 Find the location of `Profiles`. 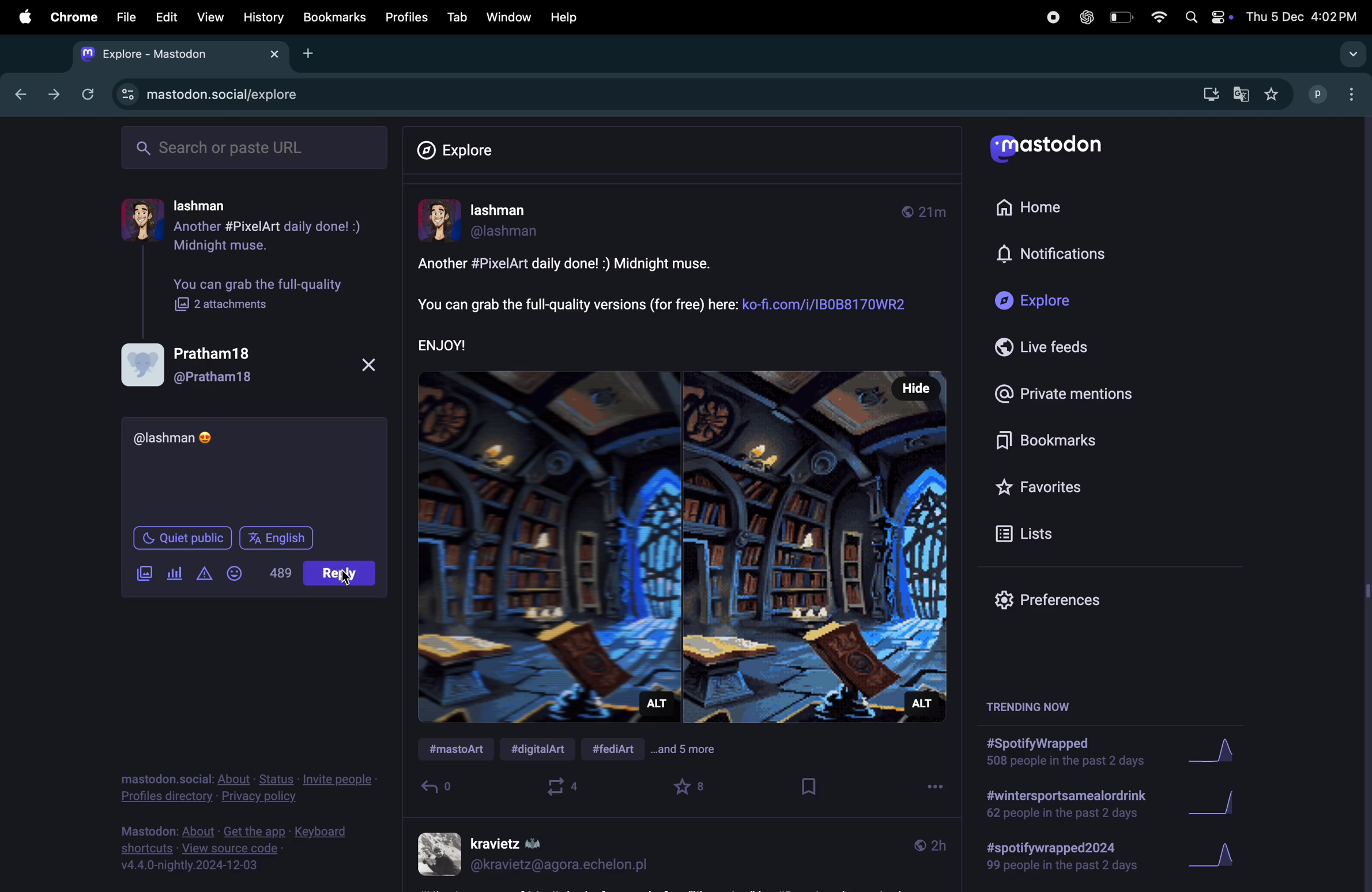

Profiles is located at coordinates (408, 17).